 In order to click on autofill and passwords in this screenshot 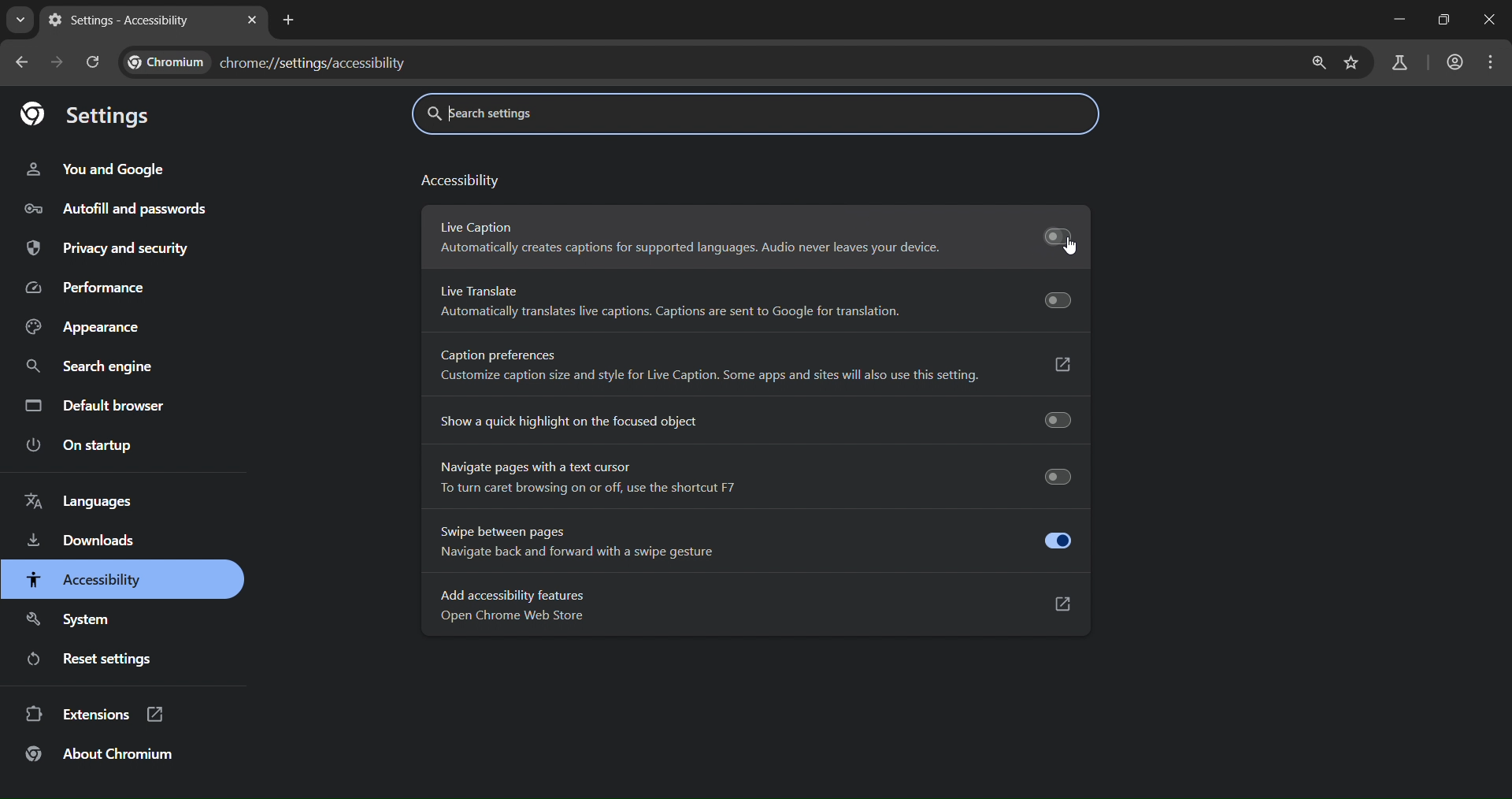, I will do `click(117, 211)`.